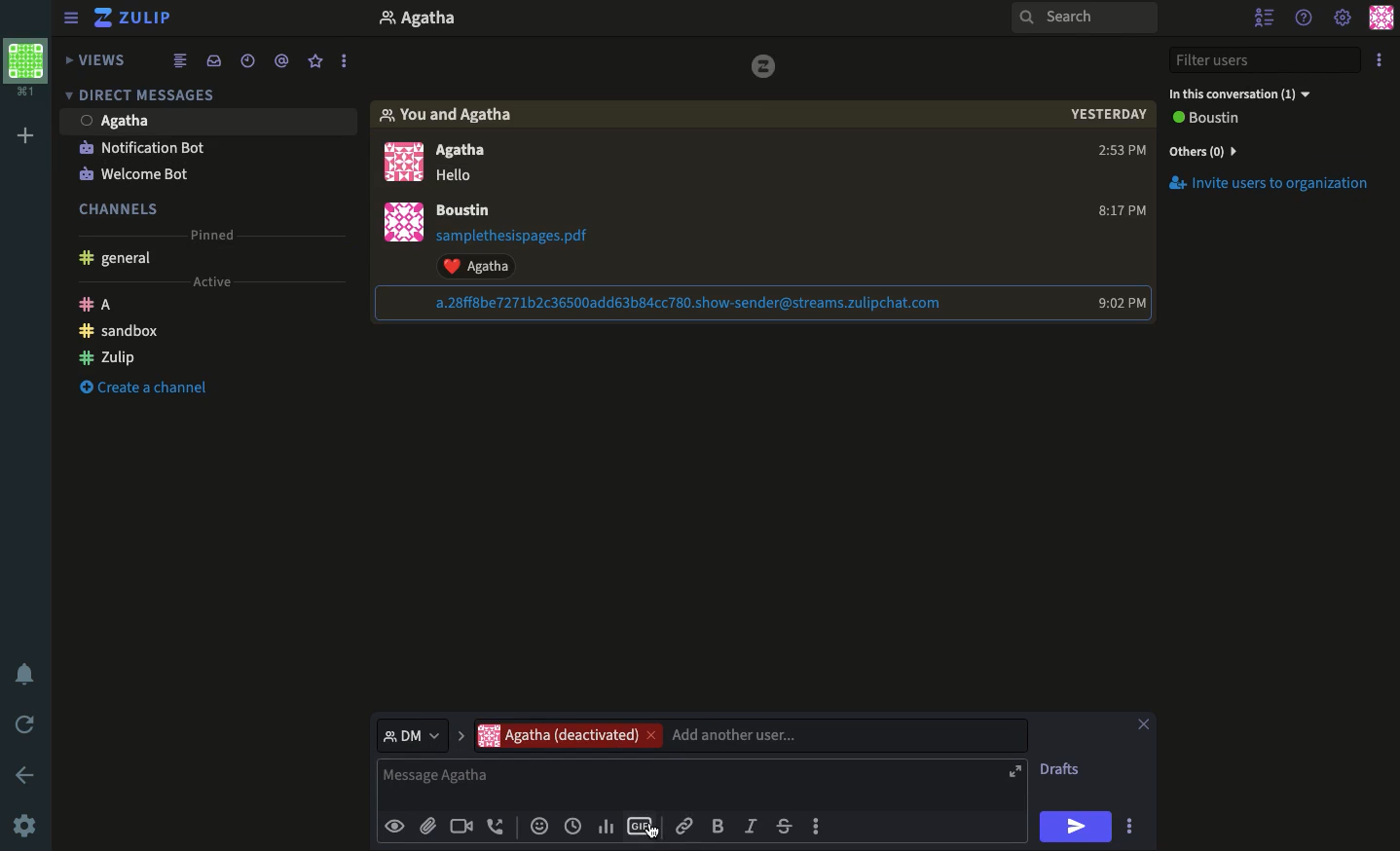  Describe the element at coordinates (461, 825) in the screenshot. I see `Video call` at that location.